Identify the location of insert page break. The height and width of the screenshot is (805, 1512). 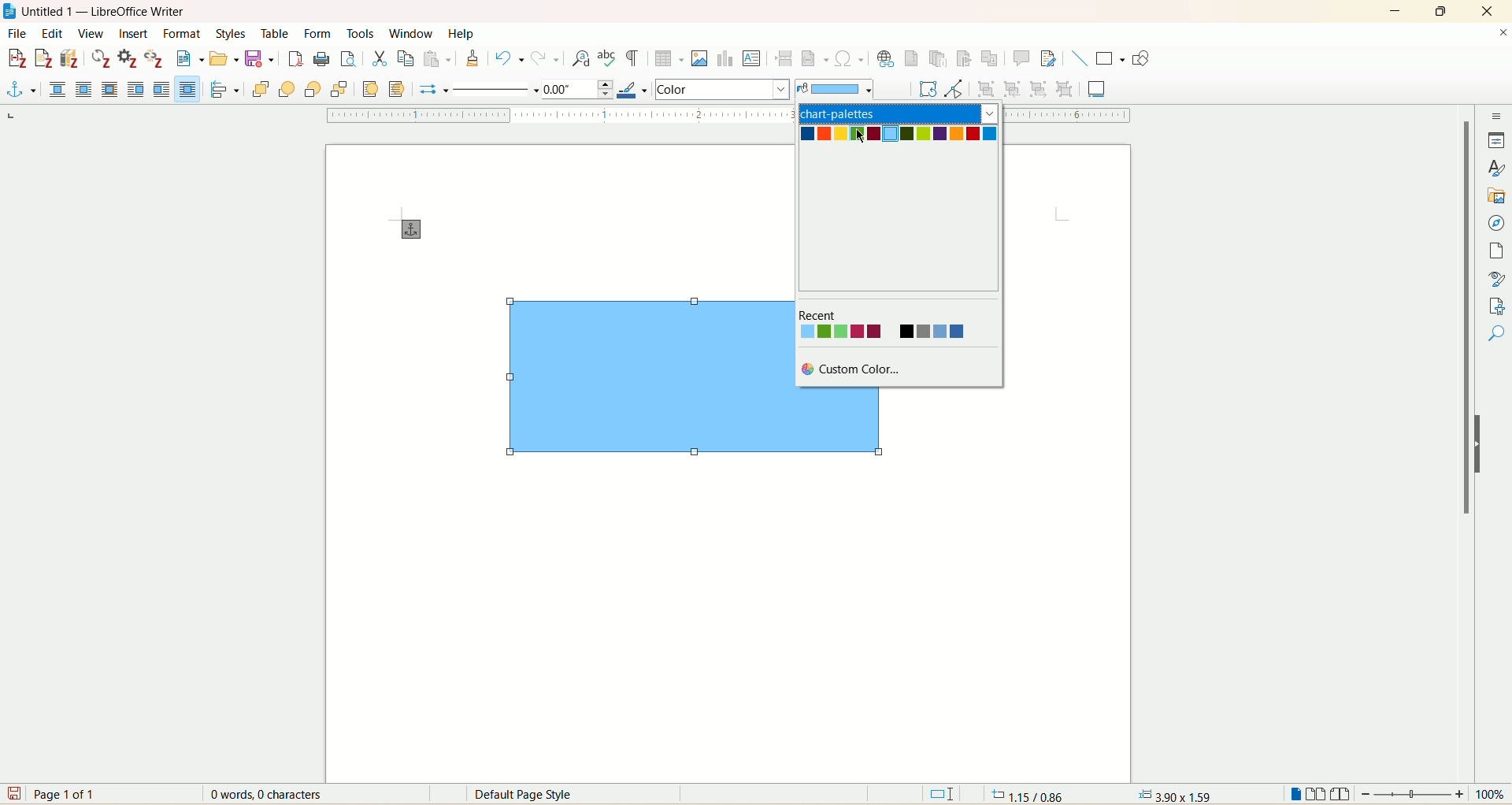
(784, 57).